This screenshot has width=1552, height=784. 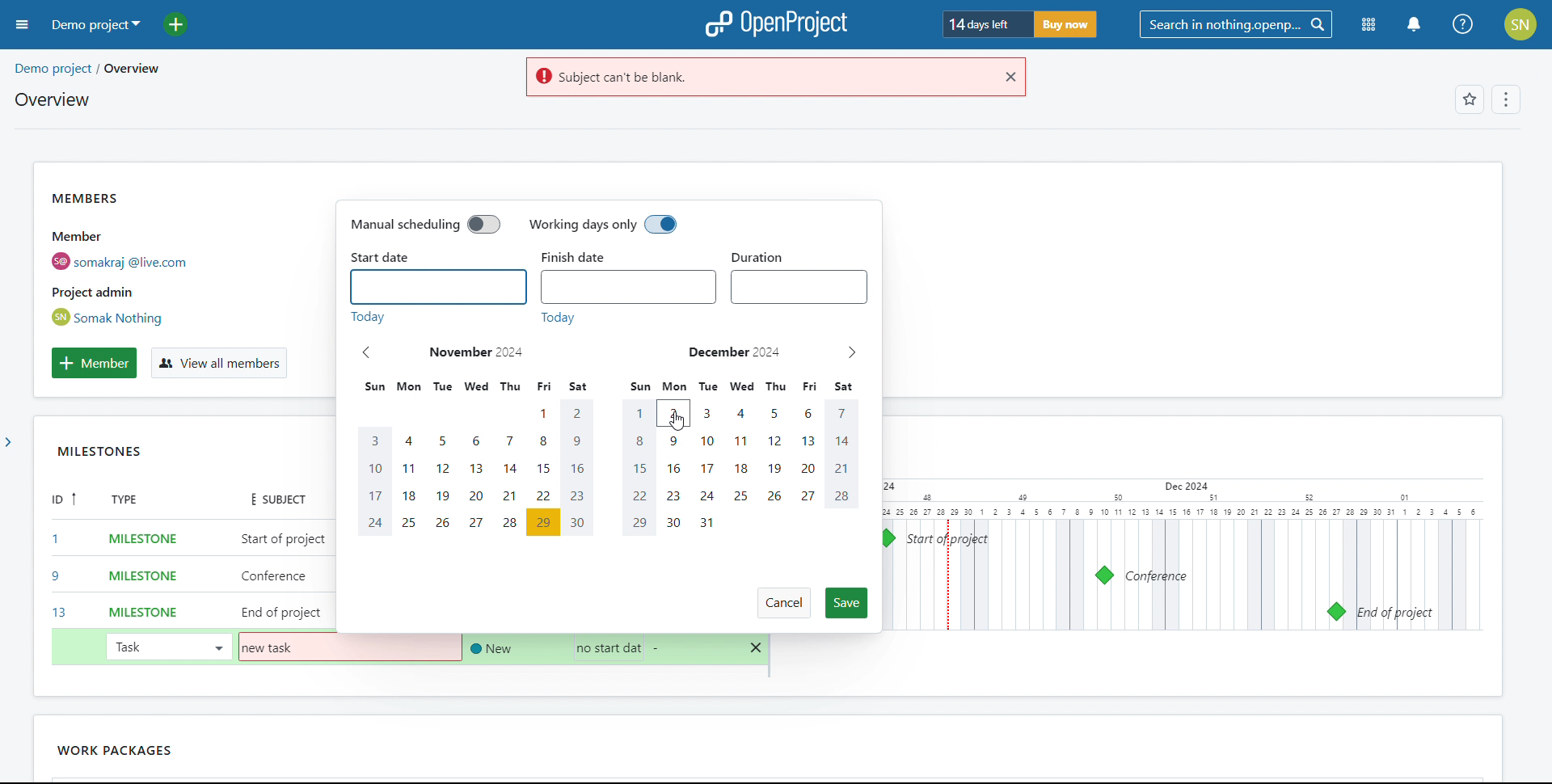 What do you see at coordinates (134, 501) in the screenshot?
I see `type` at bounding box center [134, 501].